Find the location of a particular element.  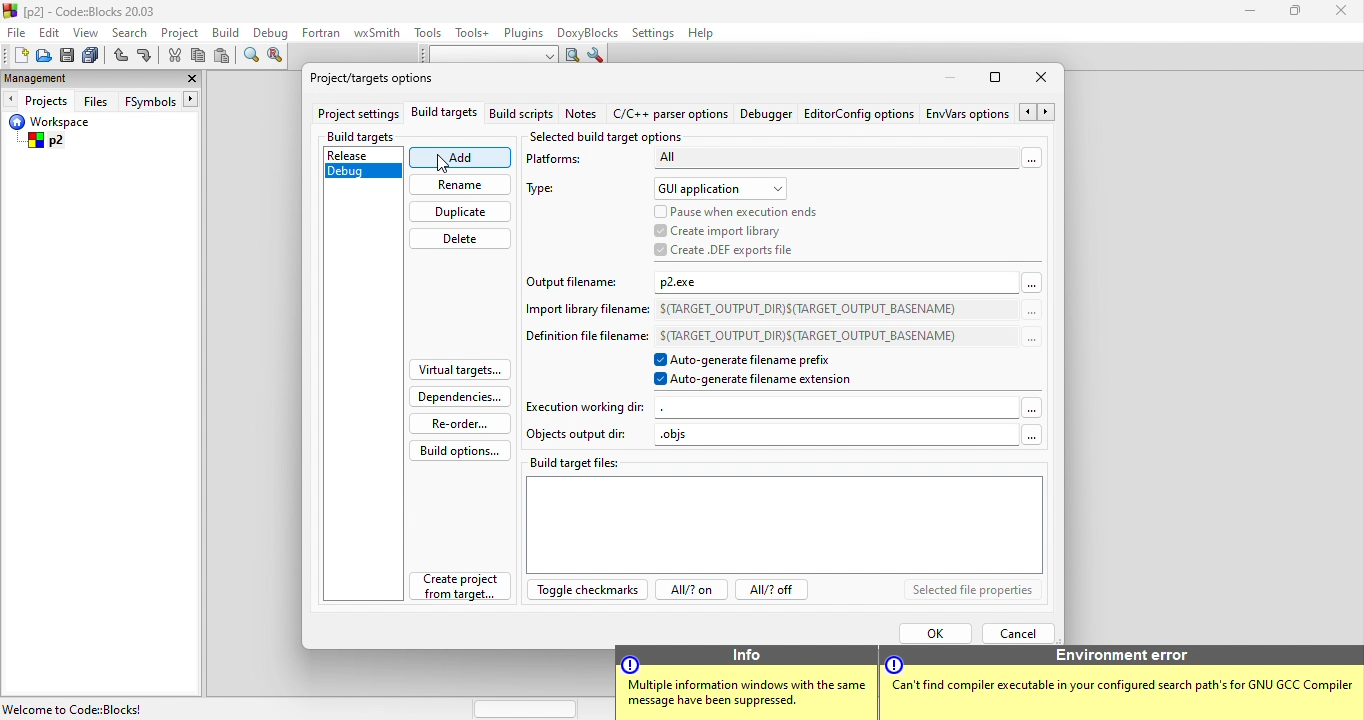

search is located at coordinates (131, 32).